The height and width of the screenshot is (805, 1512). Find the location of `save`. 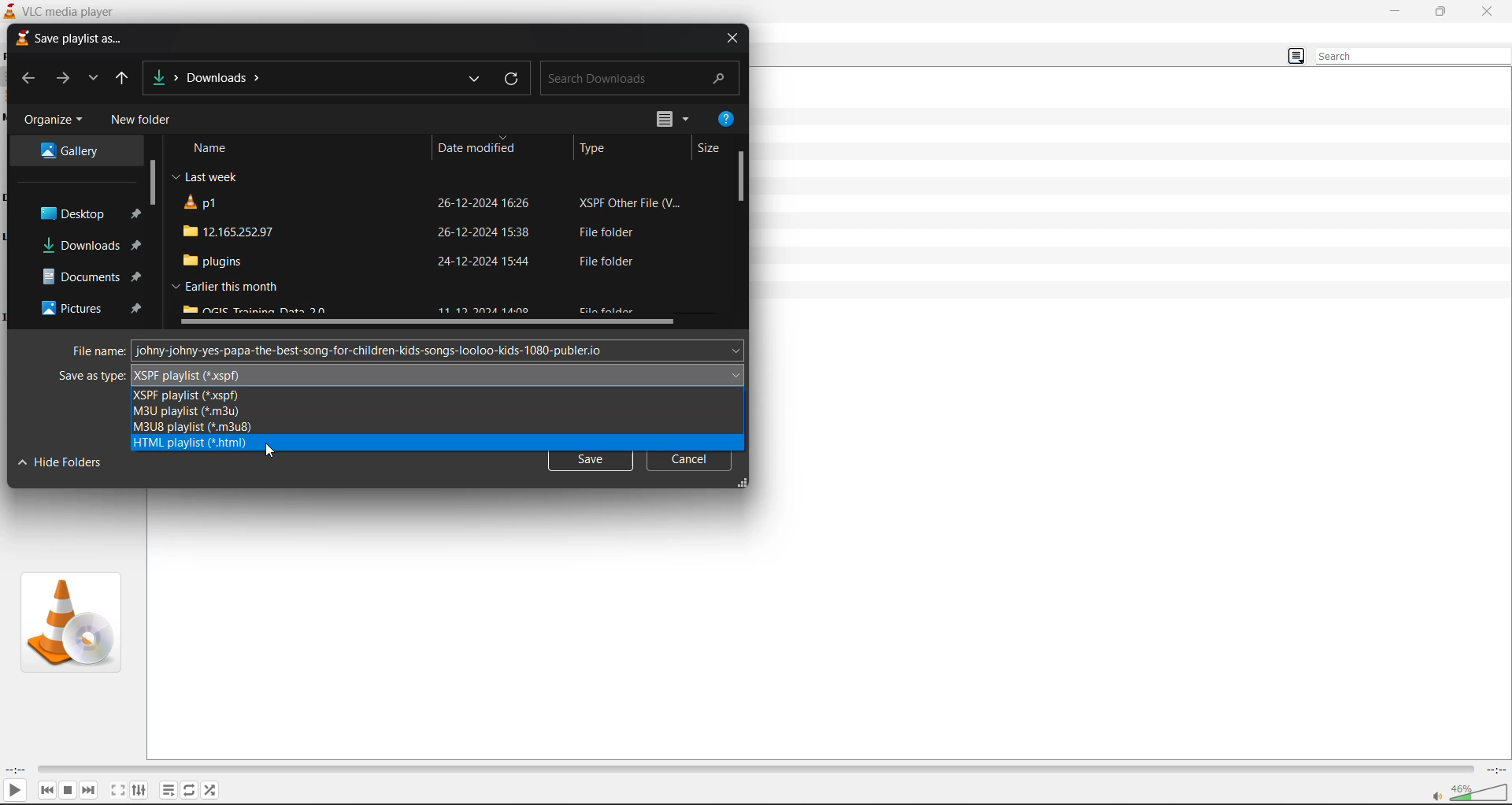

save is located at coordinates (591, 463).